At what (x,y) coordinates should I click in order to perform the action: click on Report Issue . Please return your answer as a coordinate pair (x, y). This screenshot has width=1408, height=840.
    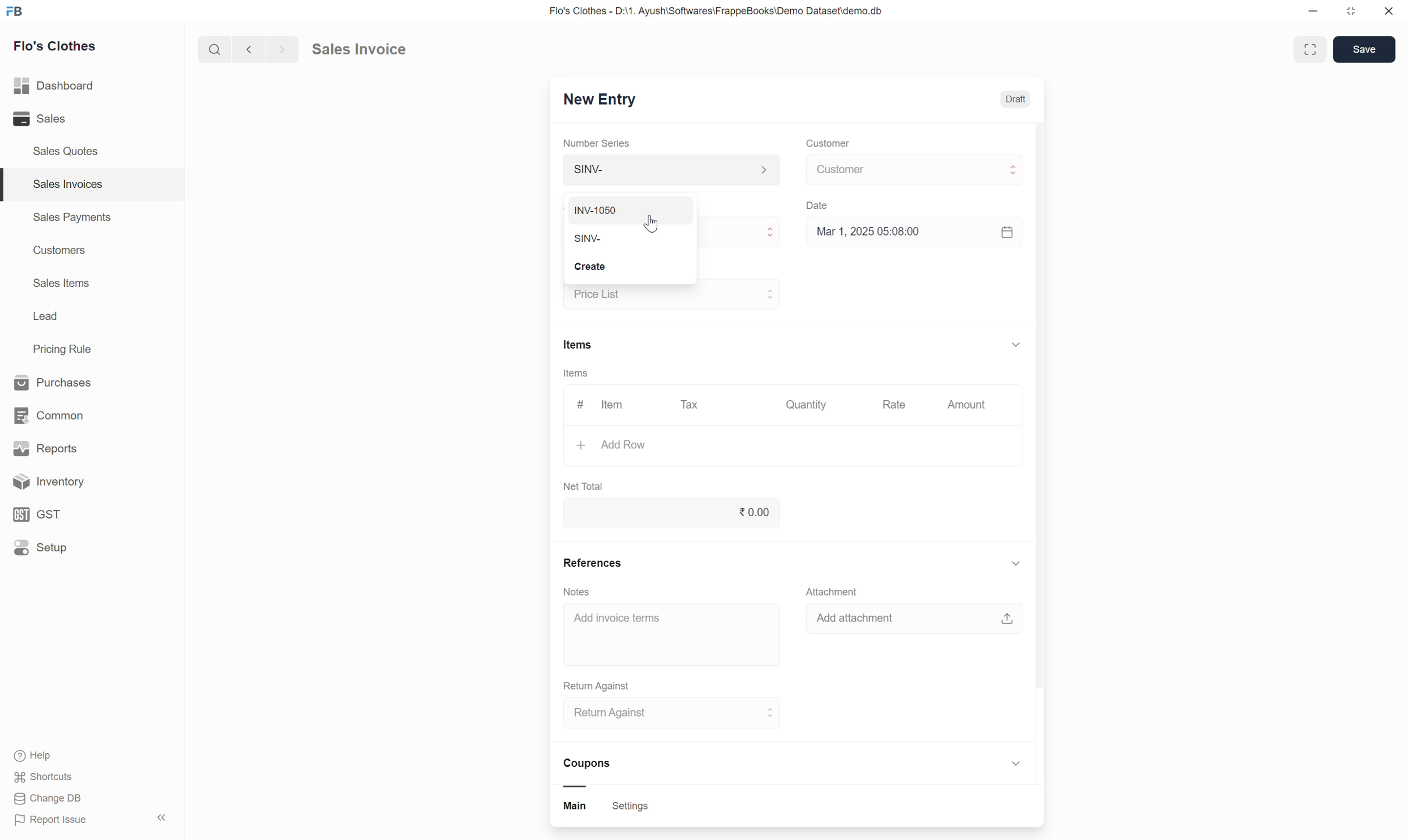
    Looking at the image, I should click on (60, 822).